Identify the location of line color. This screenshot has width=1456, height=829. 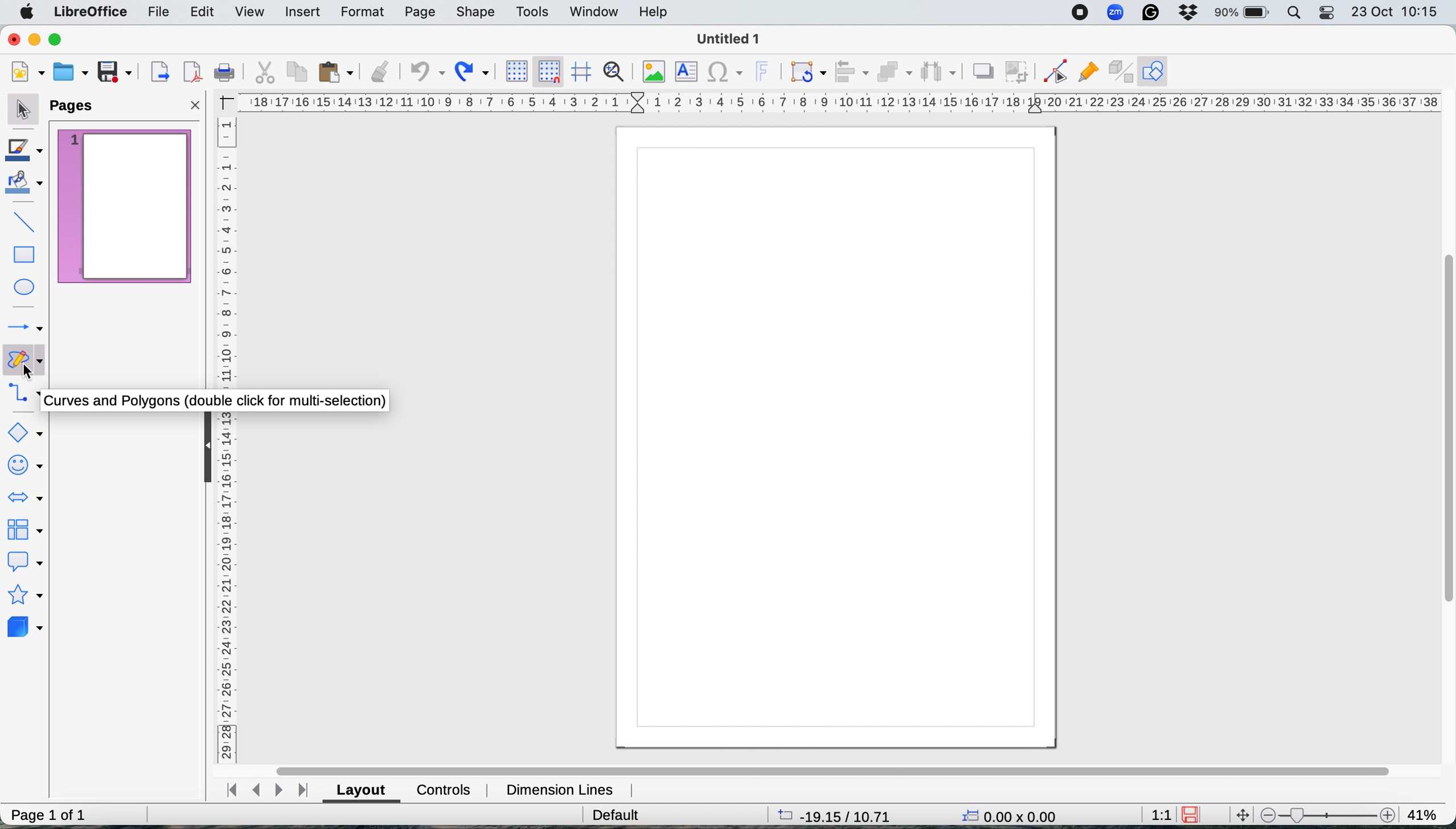
(23, 149).